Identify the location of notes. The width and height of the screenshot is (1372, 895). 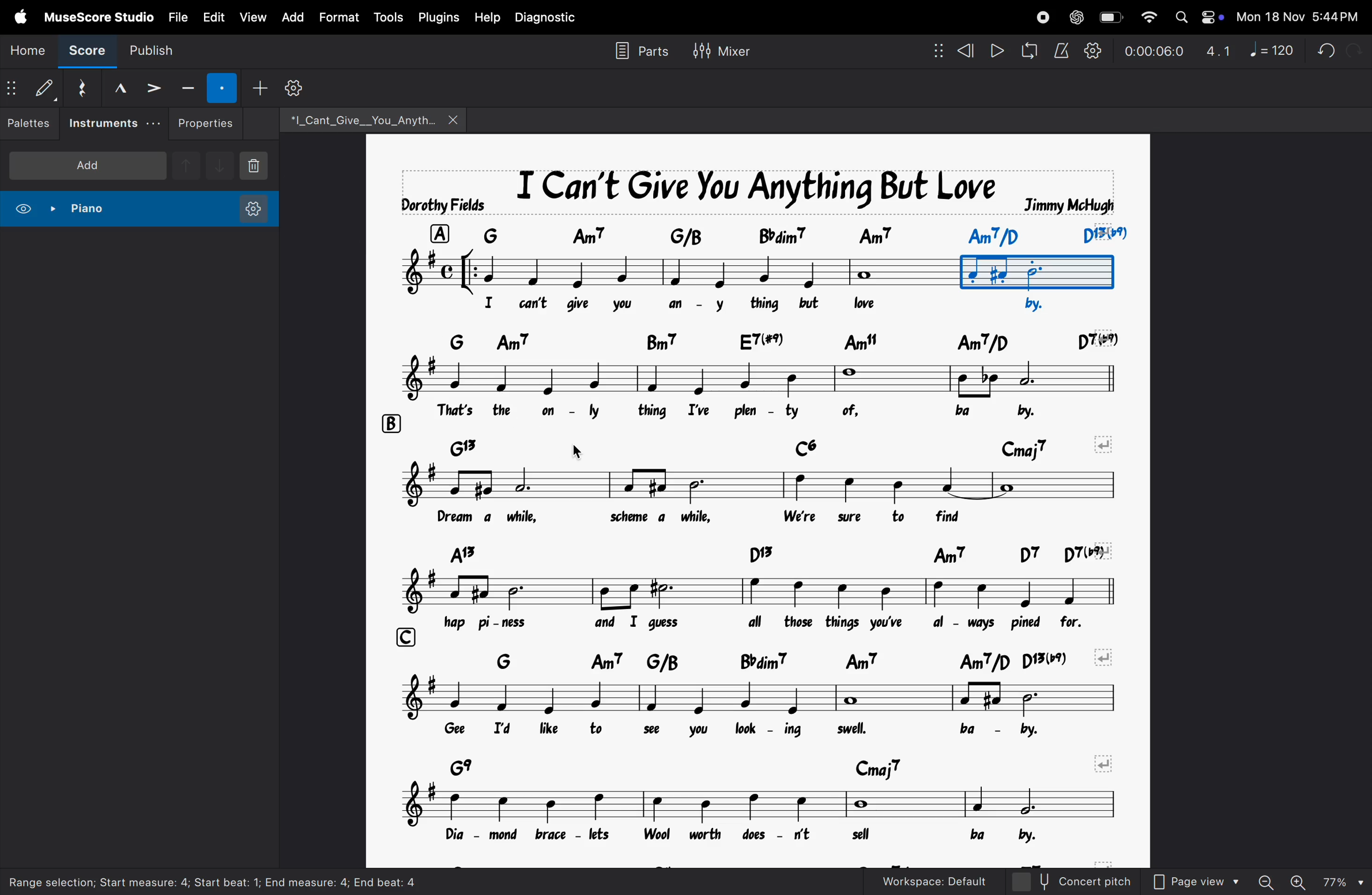
(755, 699).